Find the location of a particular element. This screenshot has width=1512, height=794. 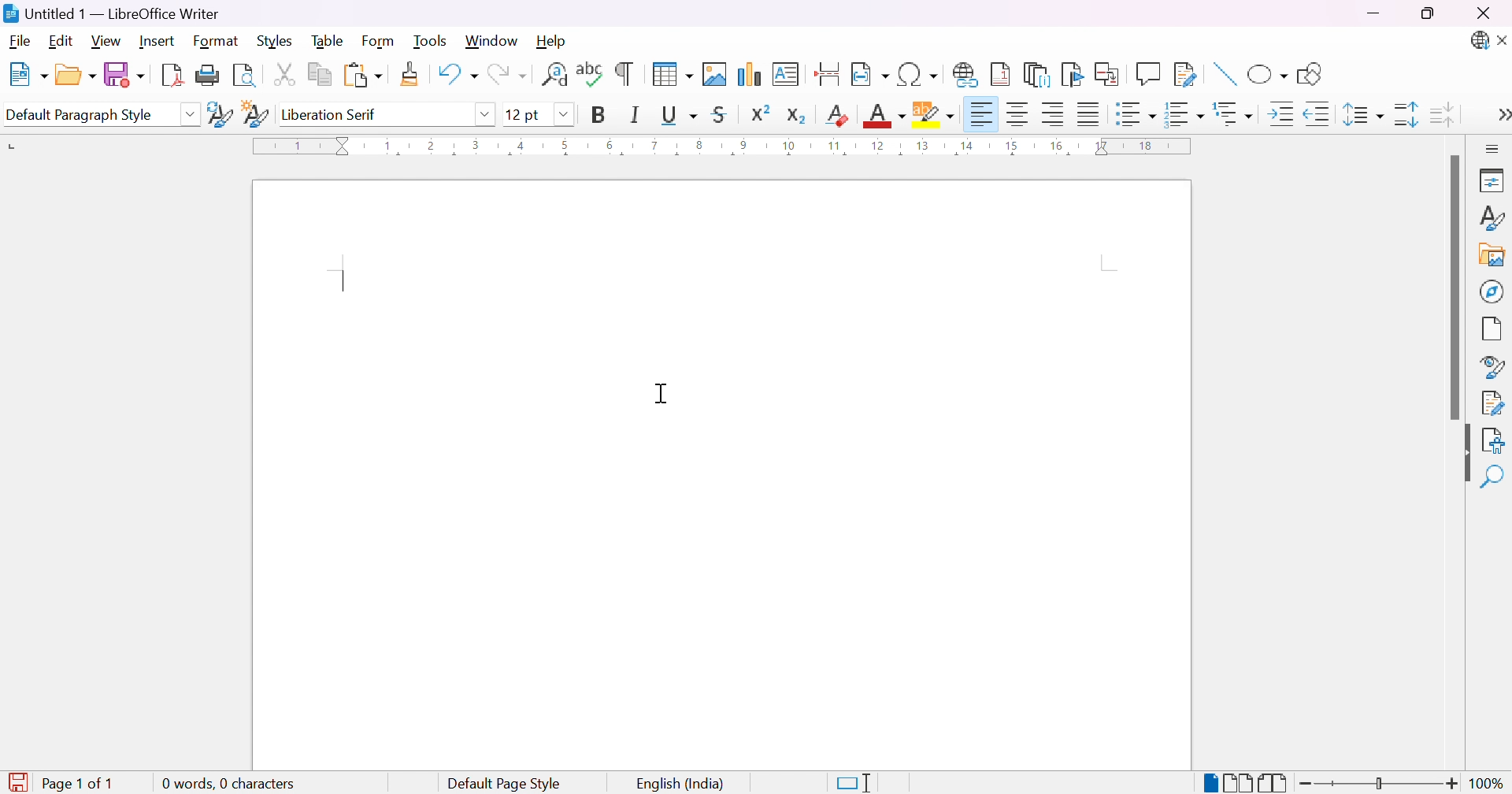

Toggle ordered list is located at coordinates (1186, 113).